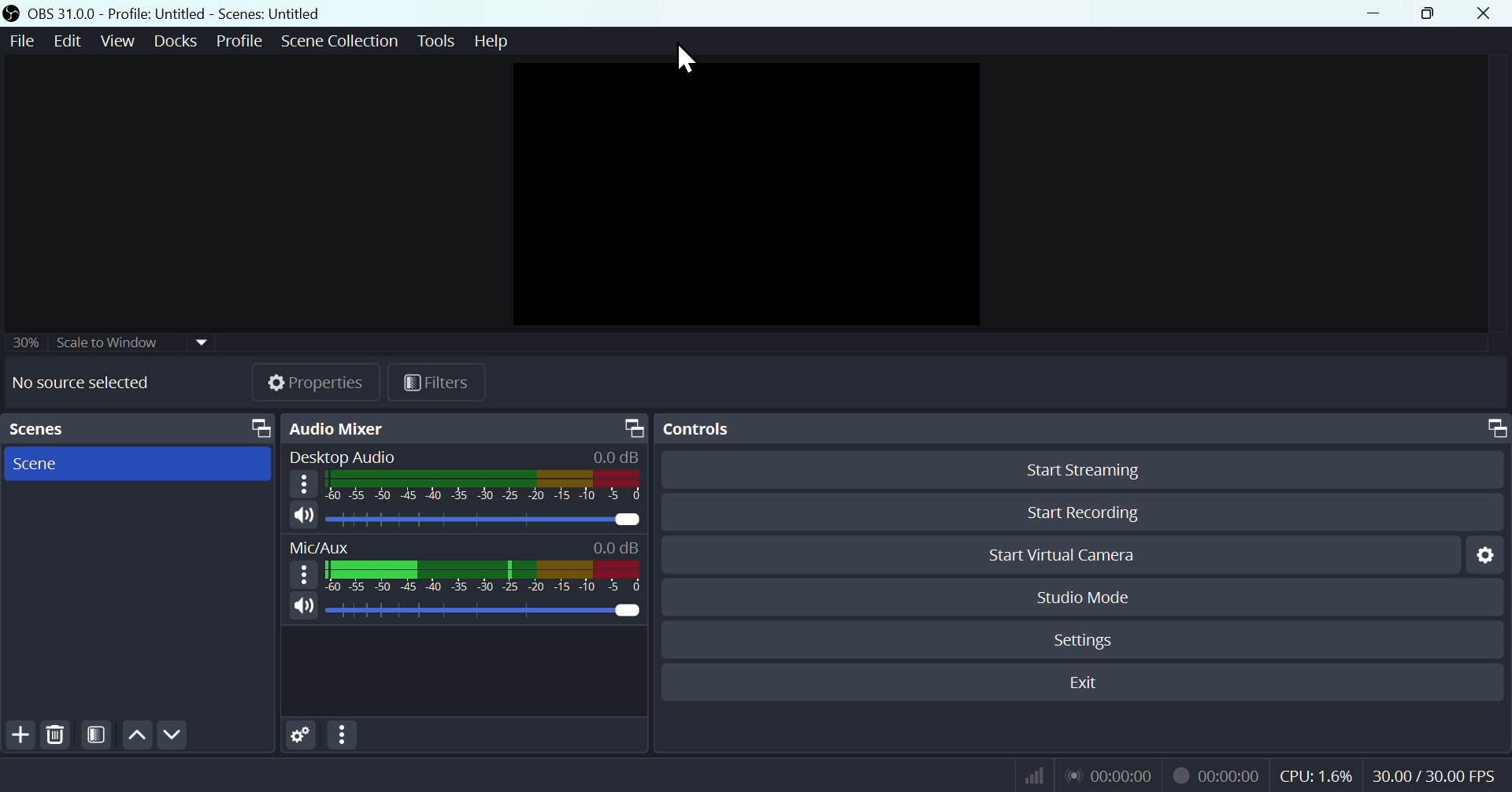 Image resolution: width=1512 pixels, height=792 pixels. Describe the element at coordinates (1111, 775) in the screenshot. I see `Live Status` at that location.